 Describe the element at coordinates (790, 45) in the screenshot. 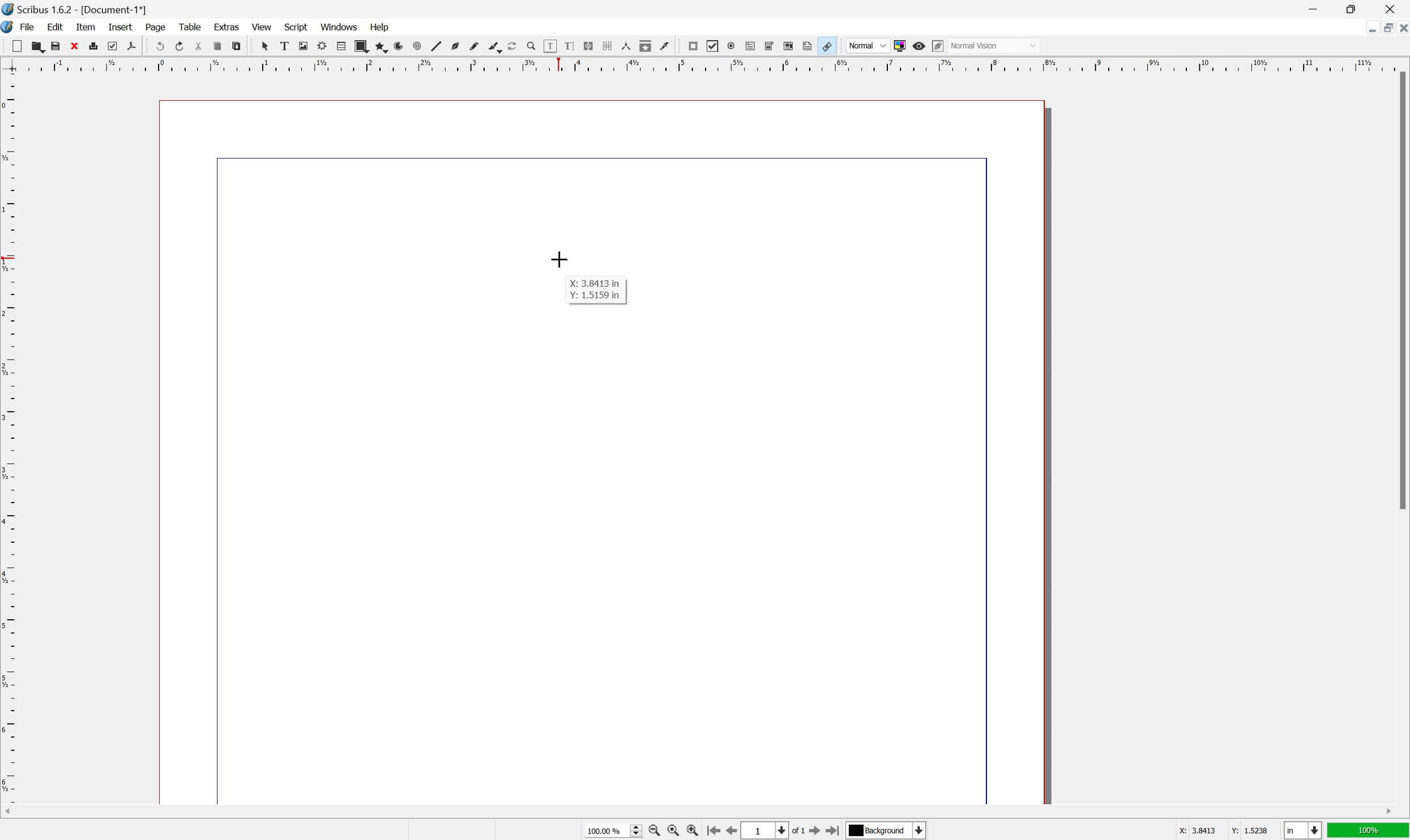

I see `pdf list box` at that location.